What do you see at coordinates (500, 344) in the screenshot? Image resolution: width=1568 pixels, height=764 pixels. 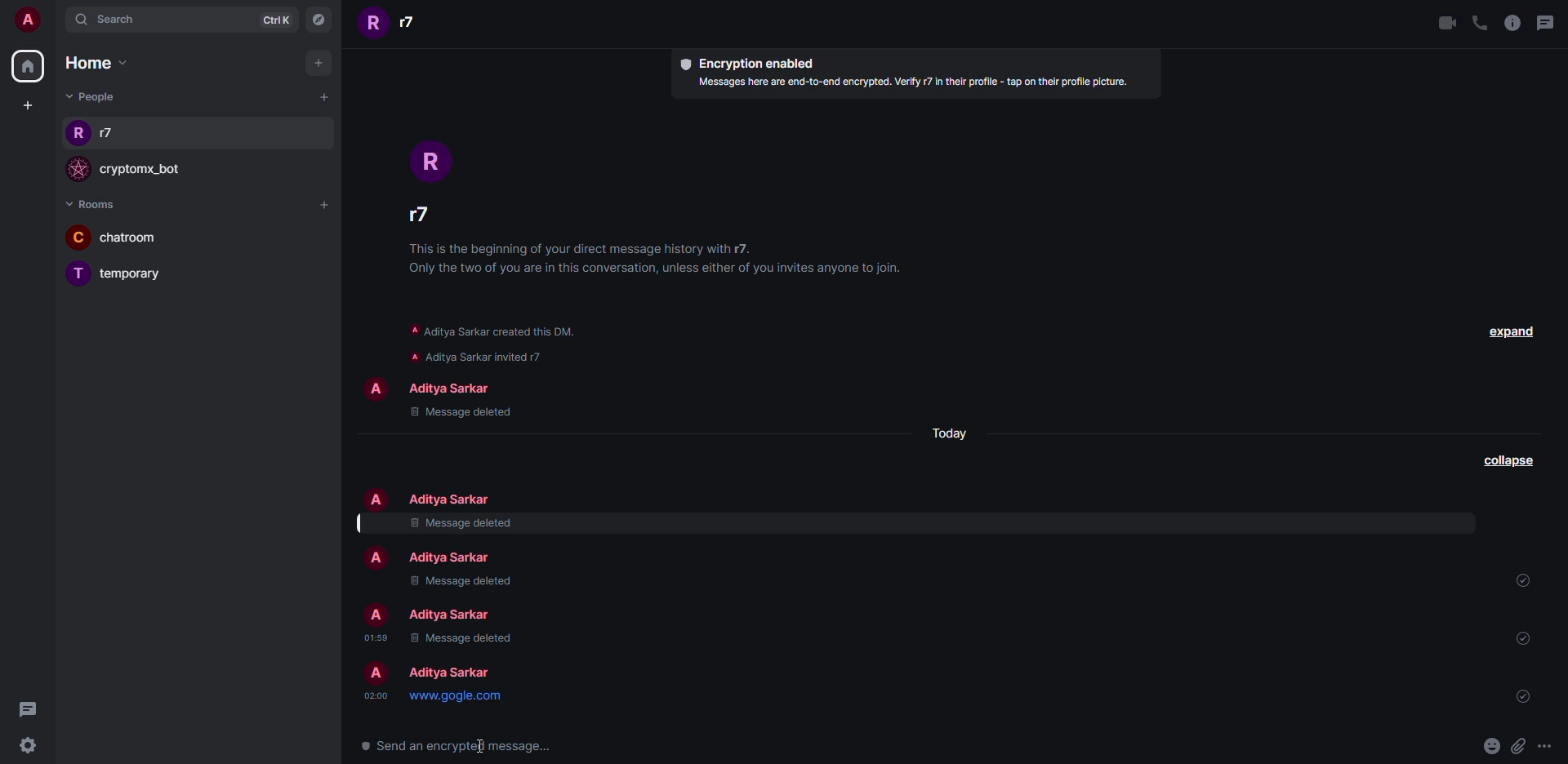 I see `info` at bounding box center [500, 344].